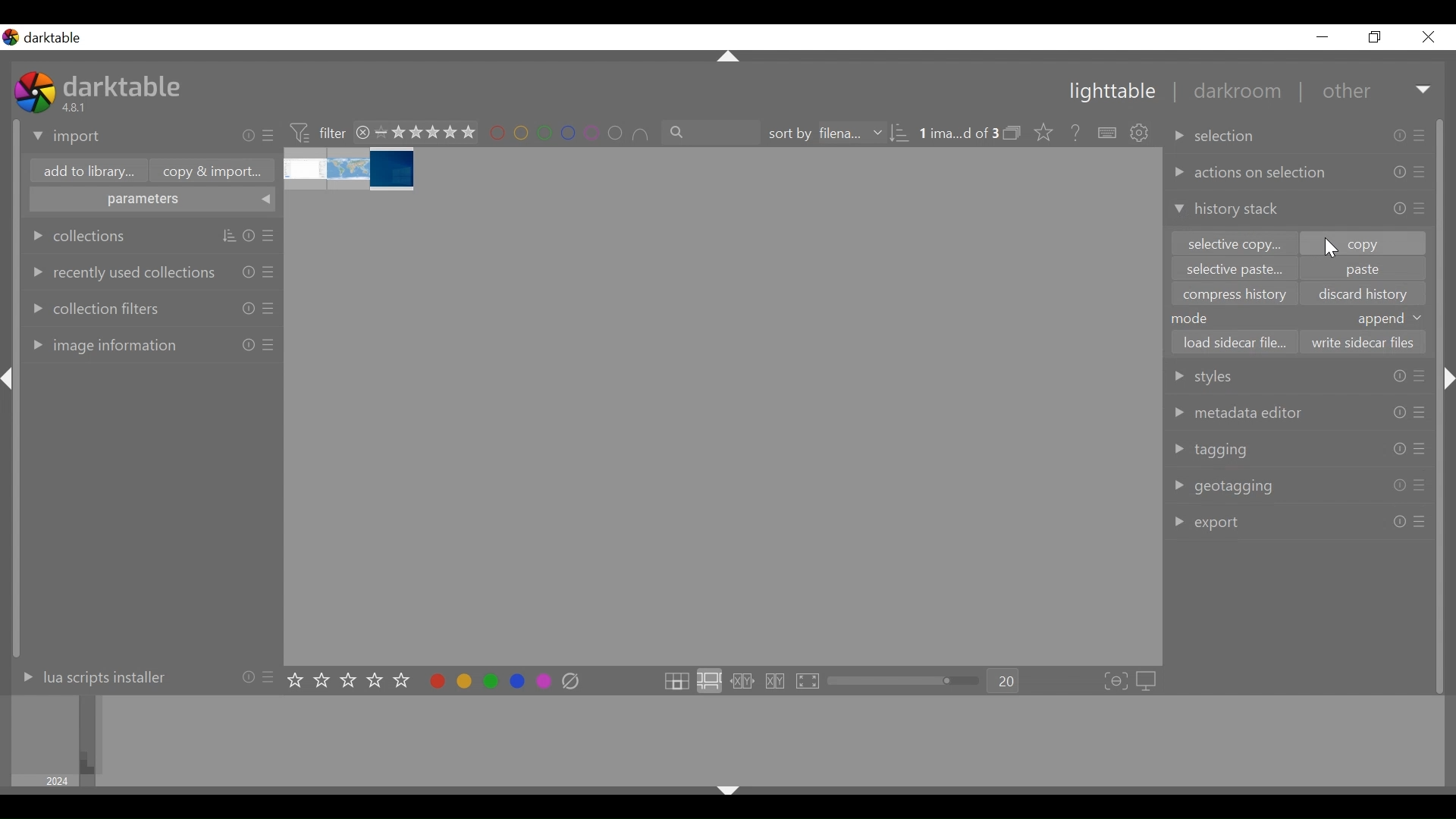 Image resolution: width=1456 pixels, height=819 pixels. What do you see at coordinates (1071, 133) in the screenshot?
I see `help` at bounding box center [1071, 133].